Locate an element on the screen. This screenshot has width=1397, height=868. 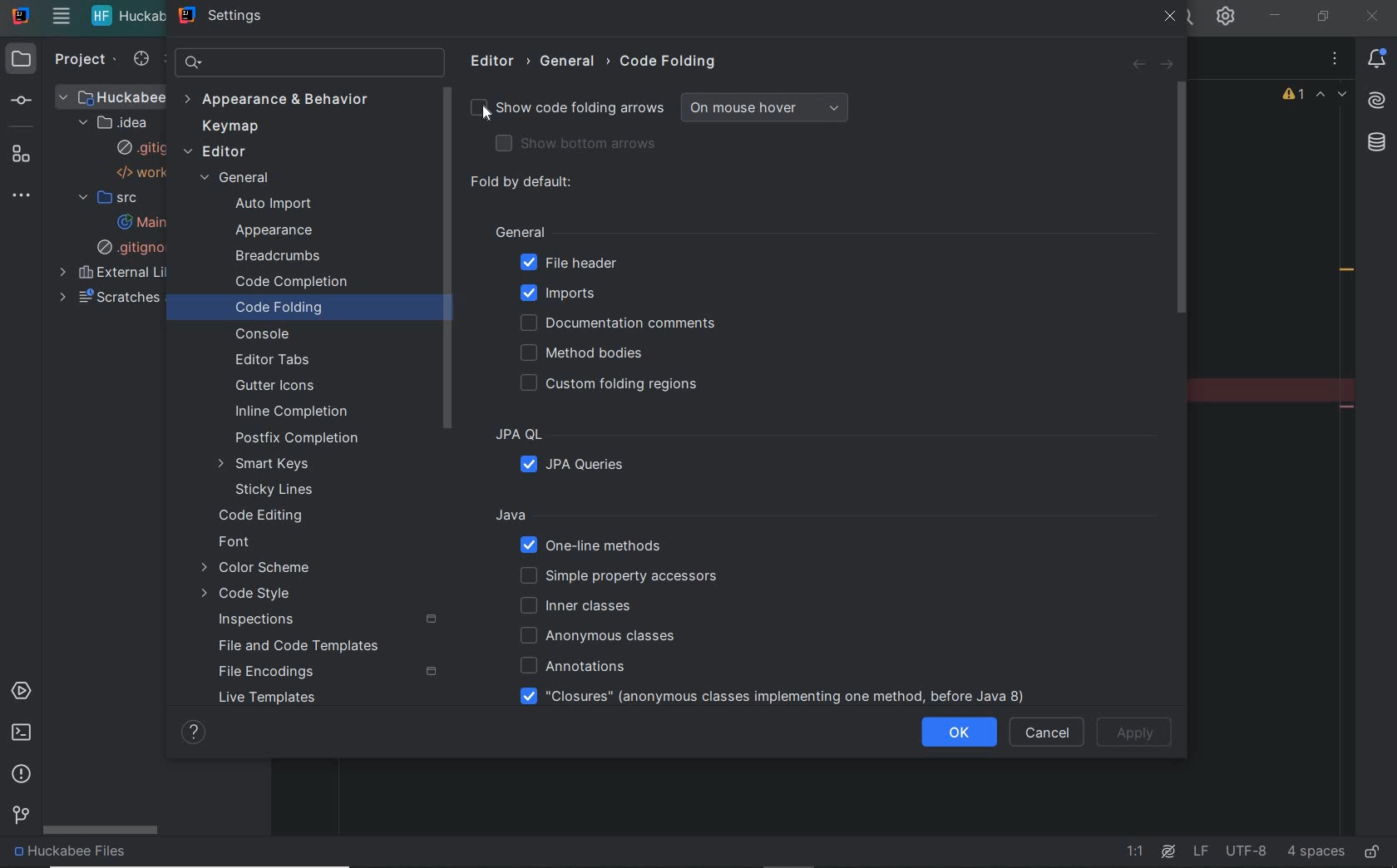
external libraries is located at coordinates (137, 274).